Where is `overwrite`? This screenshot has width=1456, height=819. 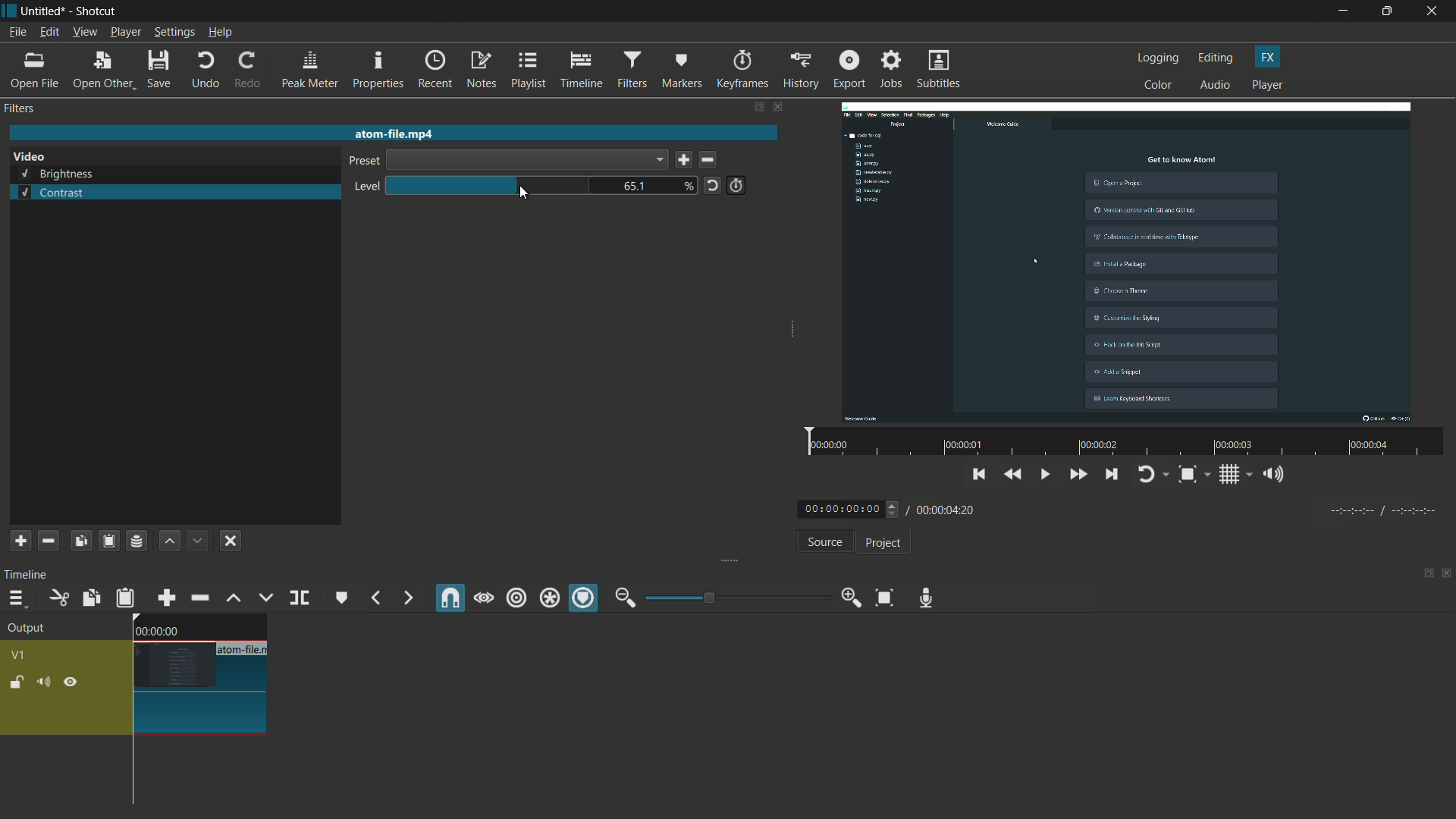
overwrite is located at coordinates (263, 598).